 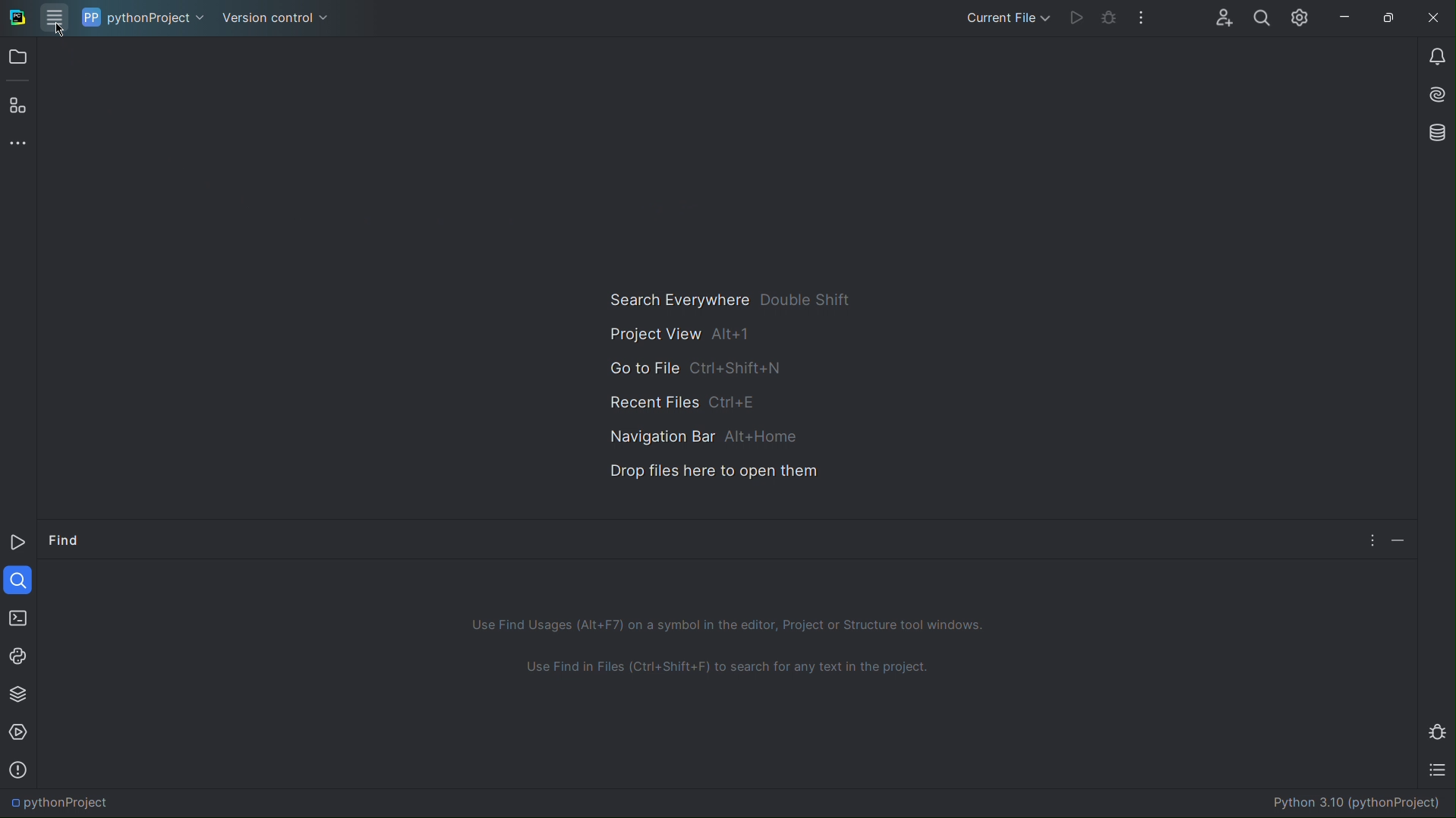 What do you see at coordinates (1434, 134) in the screenshot?
I see `Databases` at bounding box center [1434, 134].